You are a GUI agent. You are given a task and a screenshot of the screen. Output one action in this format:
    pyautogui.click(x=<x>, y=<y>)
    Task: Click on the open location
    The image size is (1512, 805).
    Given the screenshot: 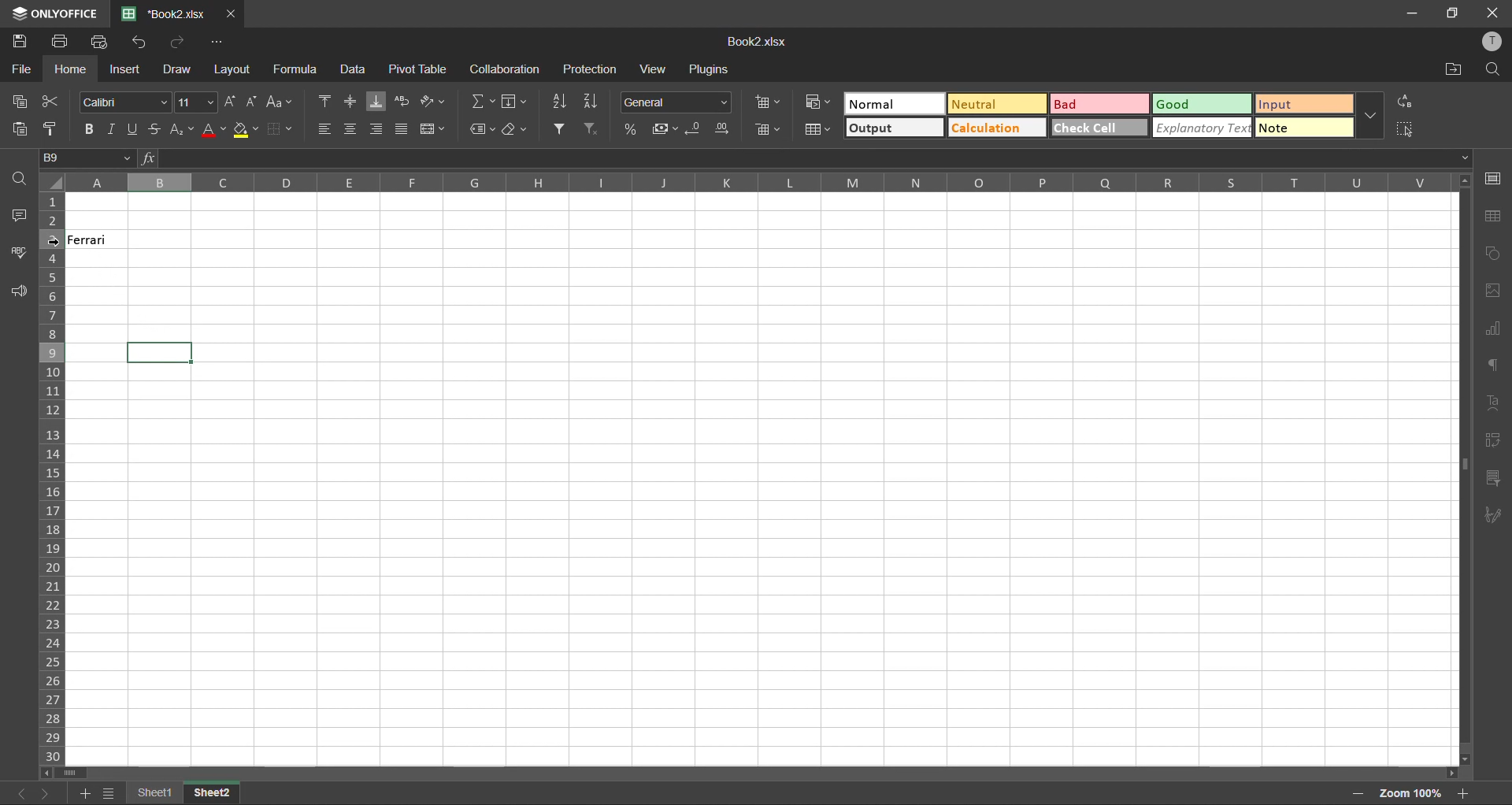 What is the action you would take?
    pyautogui.click(x=1450, y=69)
    